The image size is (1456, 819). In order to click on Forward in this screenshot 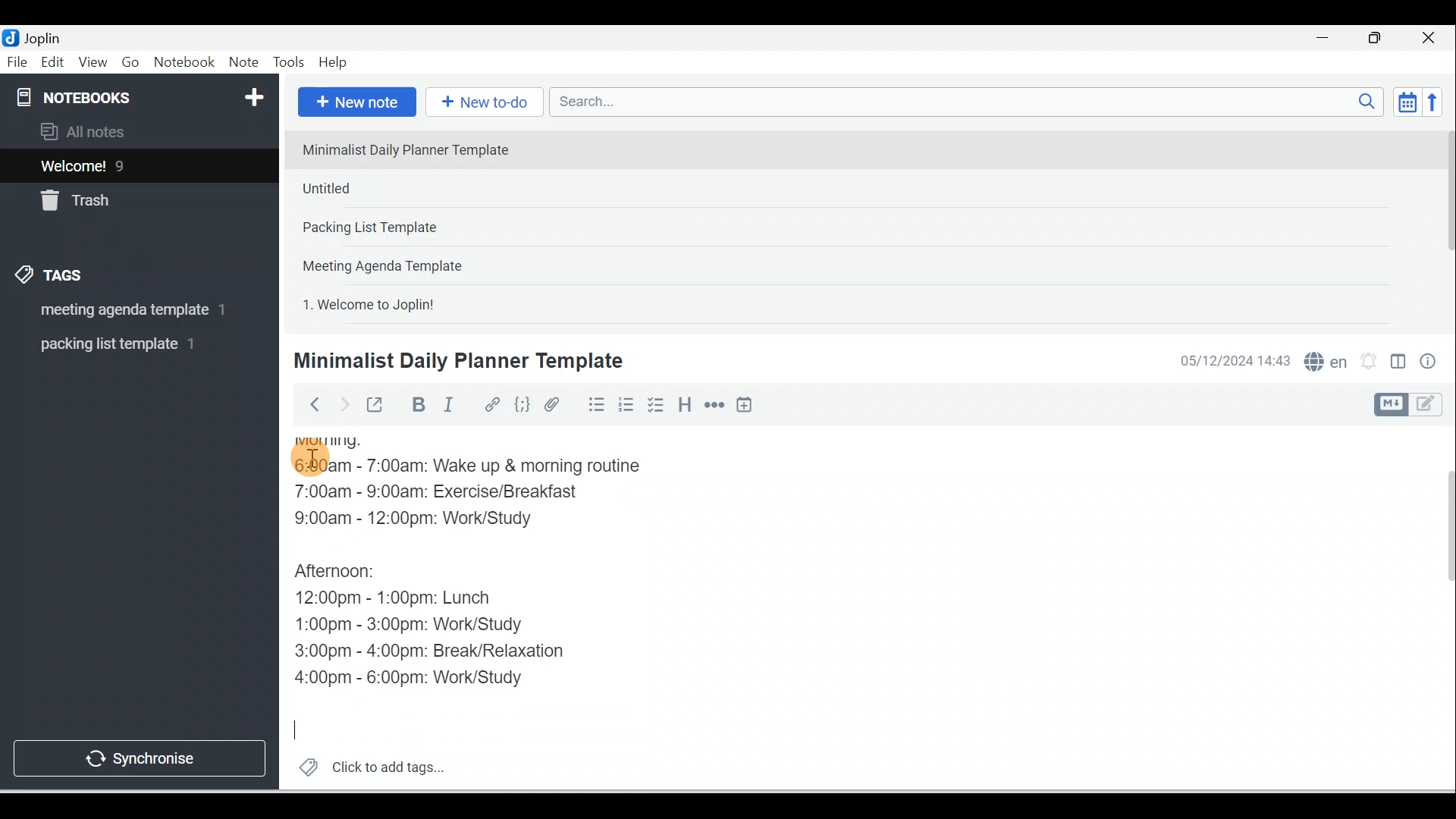, I will do `click(343, 403)`.